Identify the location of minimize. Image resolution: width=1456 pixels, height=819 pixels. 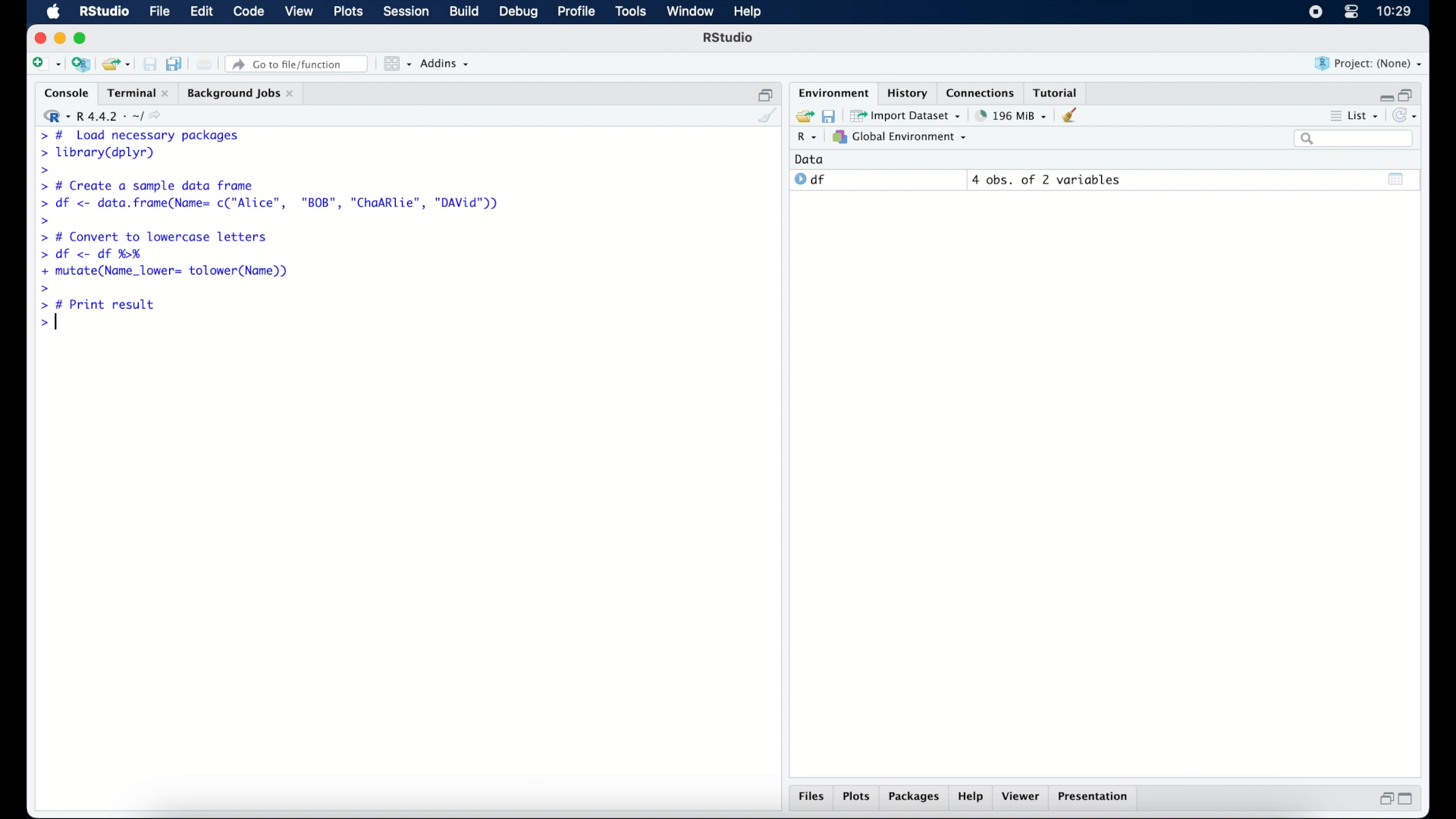
(1384, 94).